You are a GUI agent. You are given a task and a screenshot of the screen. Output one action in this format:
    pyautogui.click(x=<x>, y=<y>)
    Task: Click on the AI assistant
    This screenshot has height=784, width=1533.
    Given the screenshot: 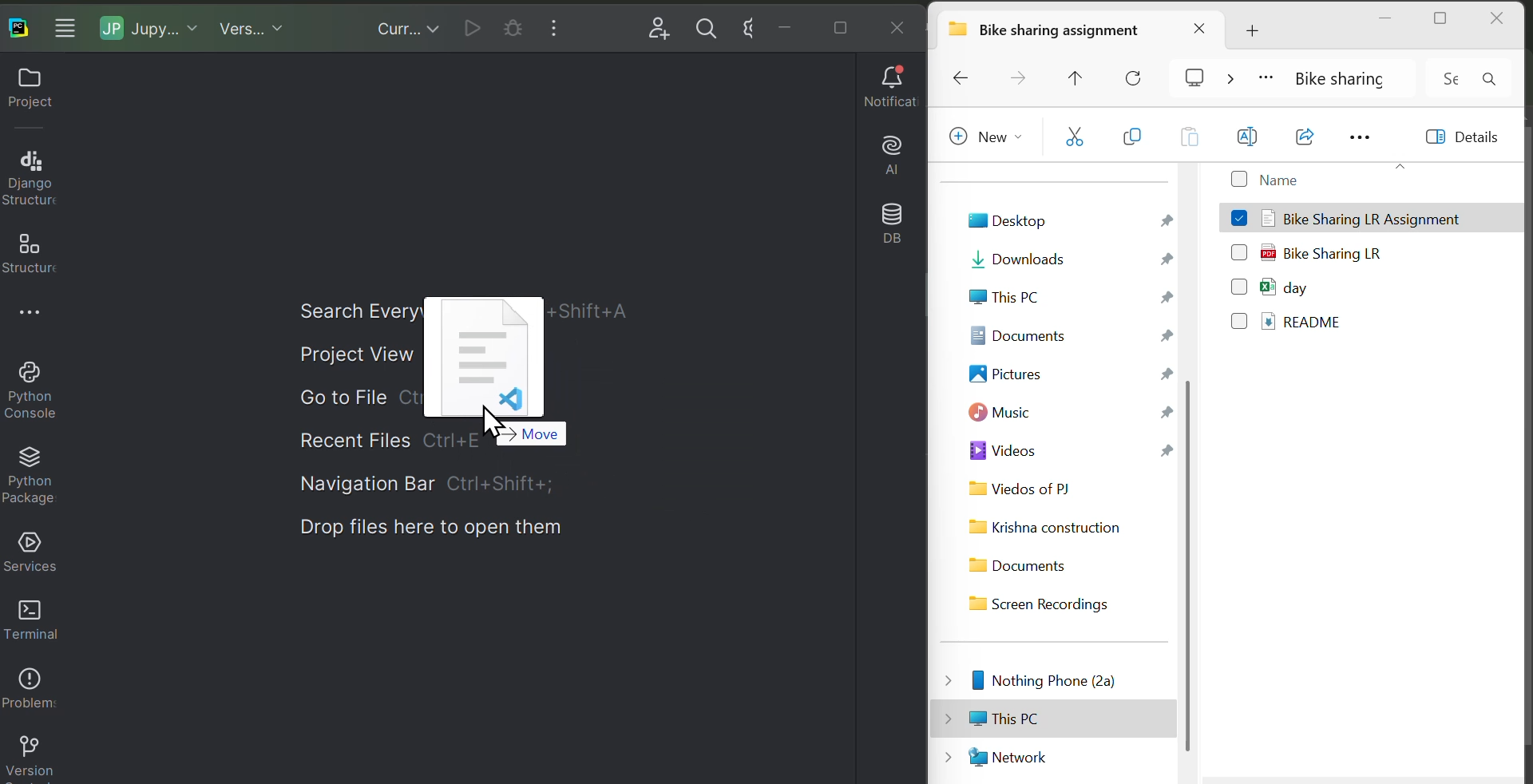 What is the action you would take?
    pyautogui.click(x=885, y=151)
    